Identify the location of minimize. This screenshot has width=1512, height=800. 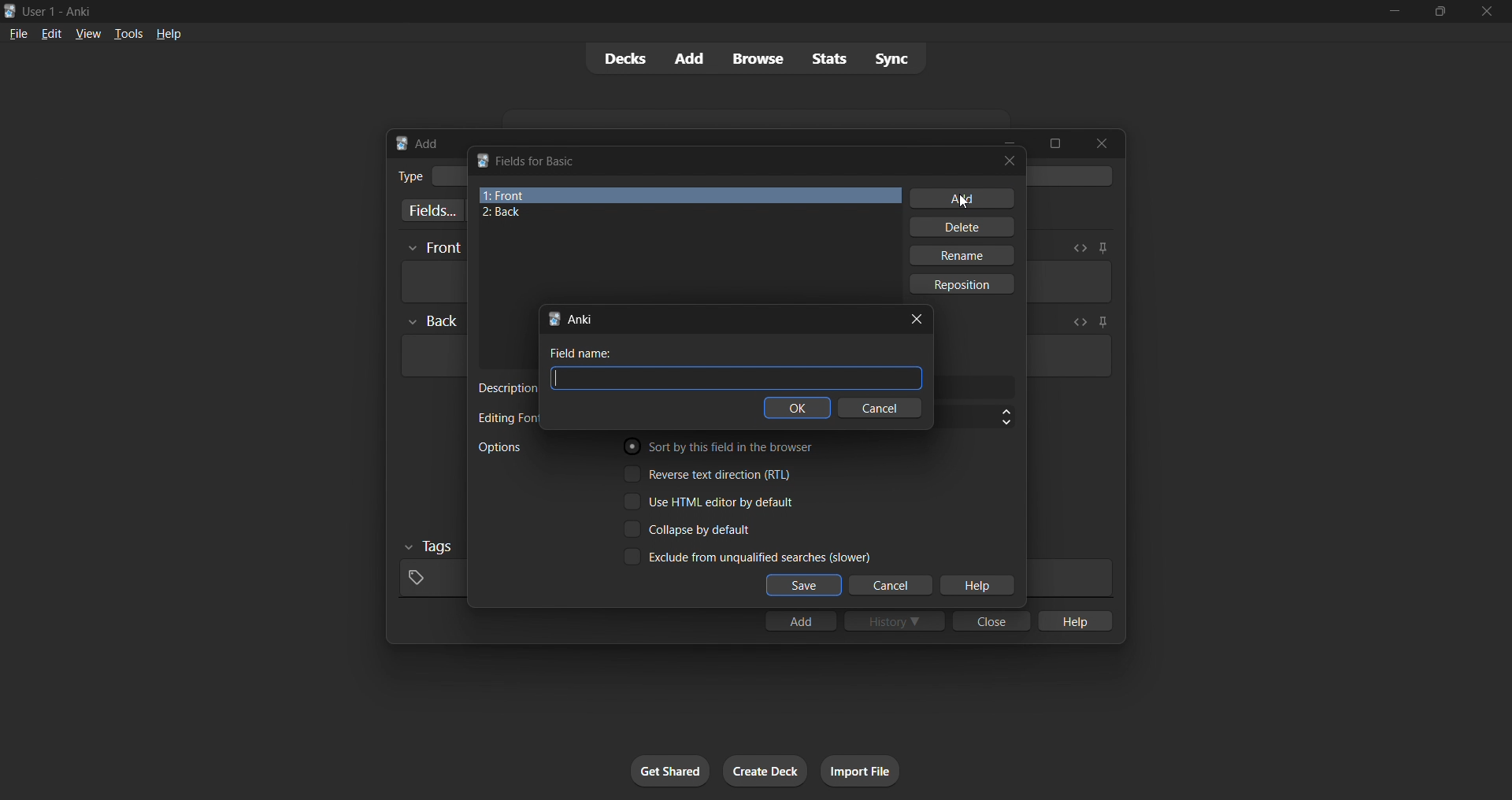
(1394, 12).